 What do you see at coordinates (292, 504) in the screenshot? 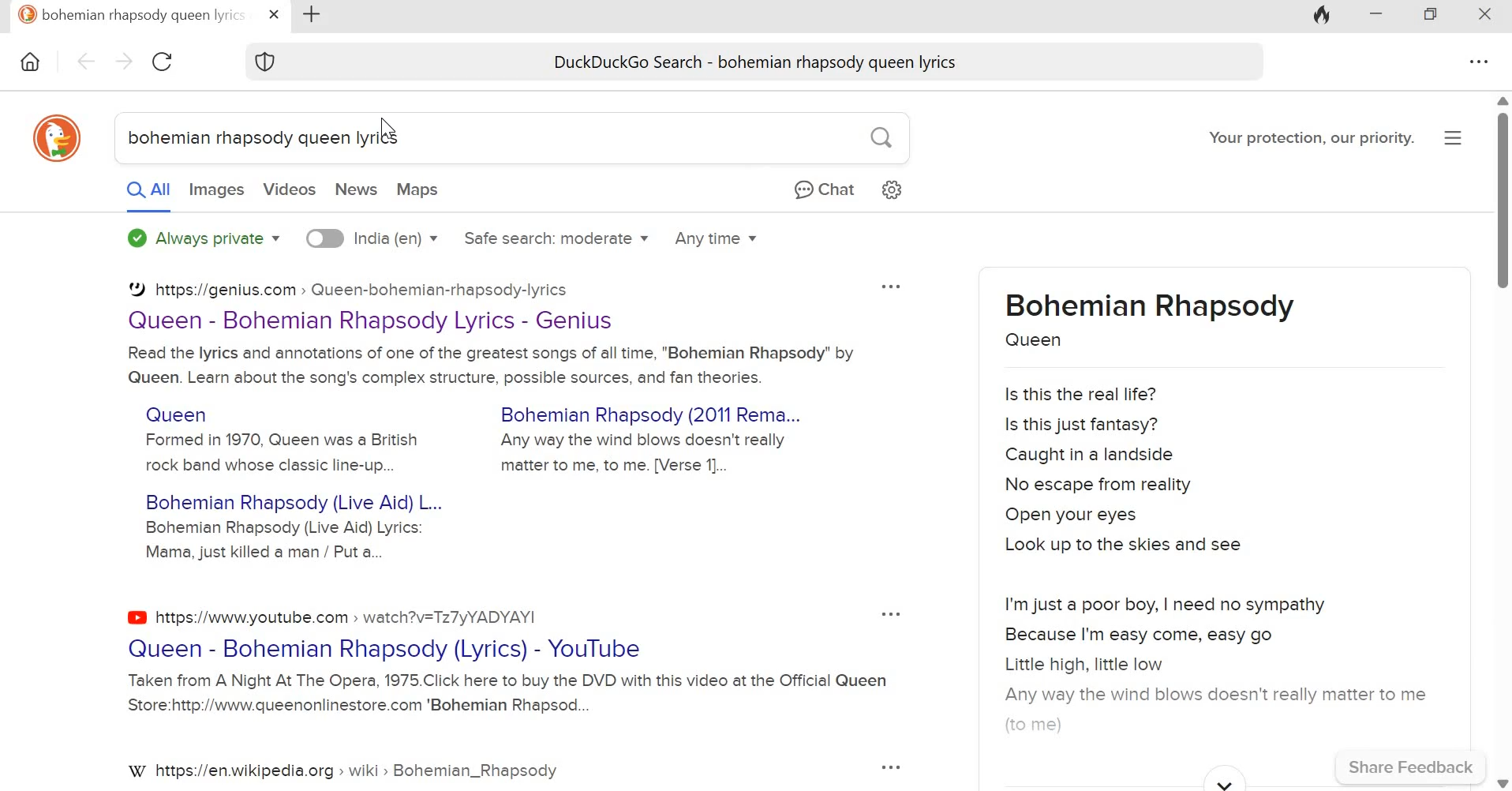
I see `Bohemian Rhapsody (Live Aid) L...` at bounding box center [292, 504].